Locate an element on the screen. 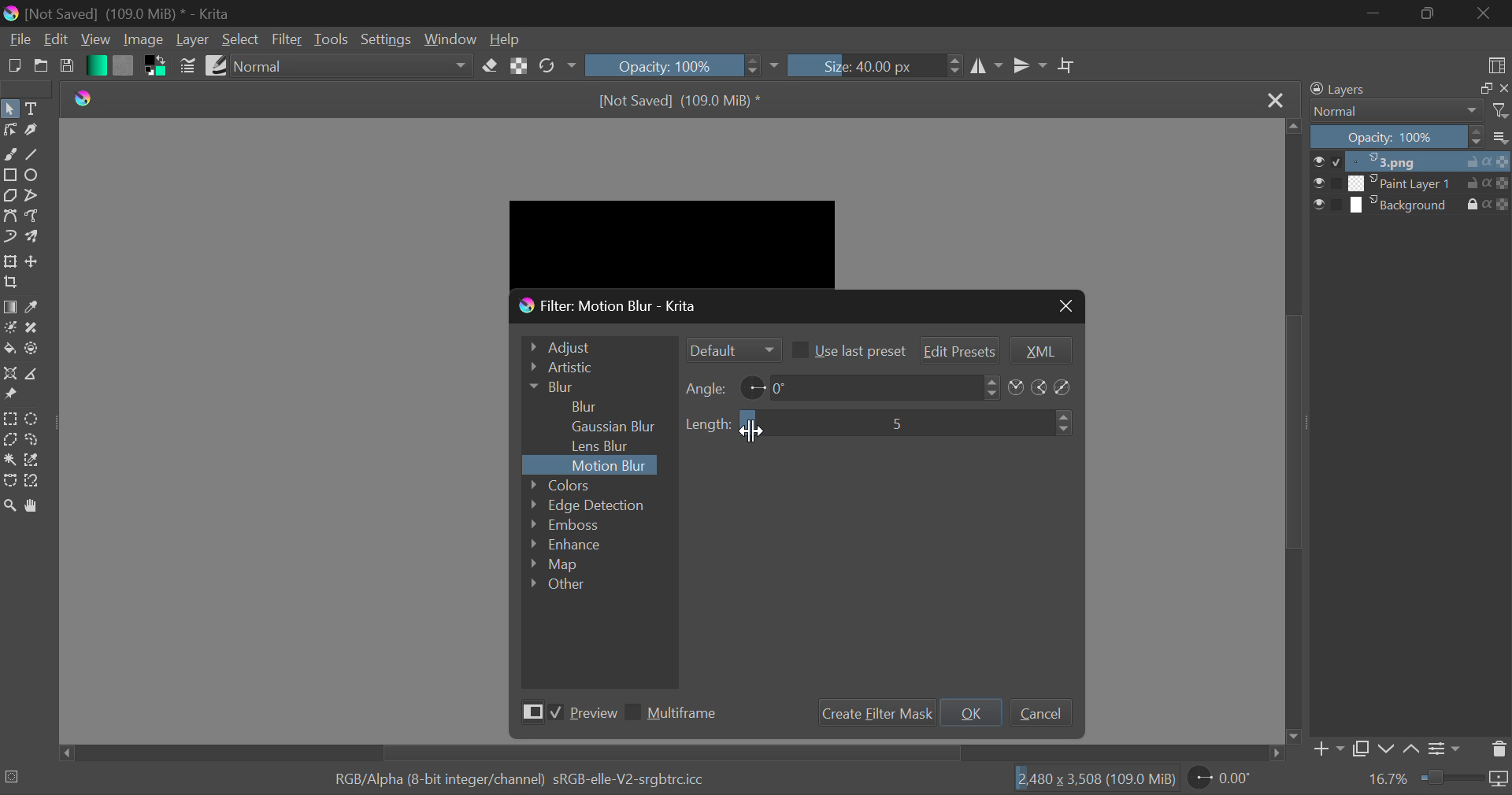  [Not Saved] (109.0 MiB) * is located at coordinates (684, 98).